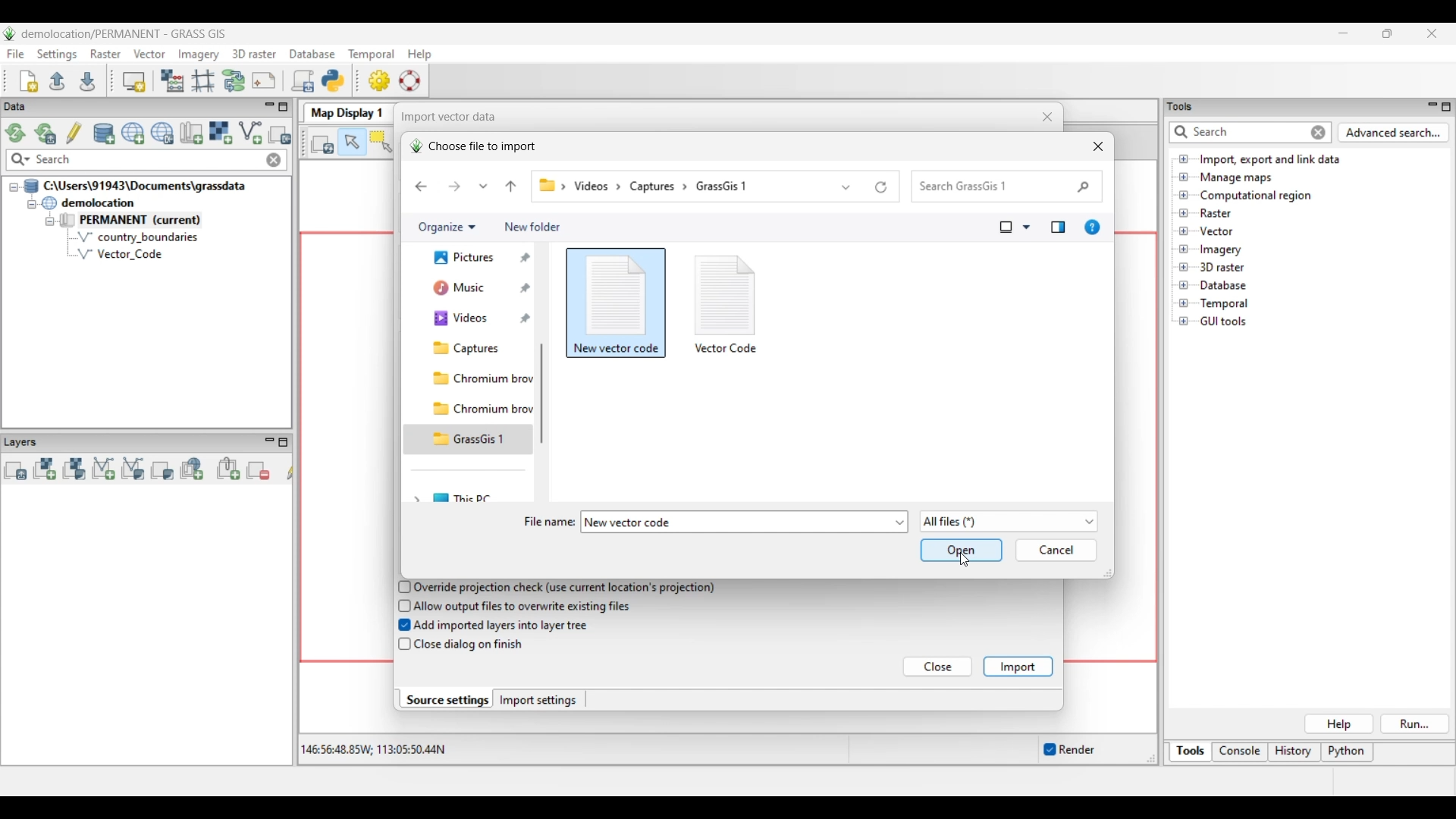 Image resolution: width=1456 pixels, height=819 pixels. What do you see at coordinates (421, 187) in the screenshot?
I see `Go back` at bounding box center [421, 187].